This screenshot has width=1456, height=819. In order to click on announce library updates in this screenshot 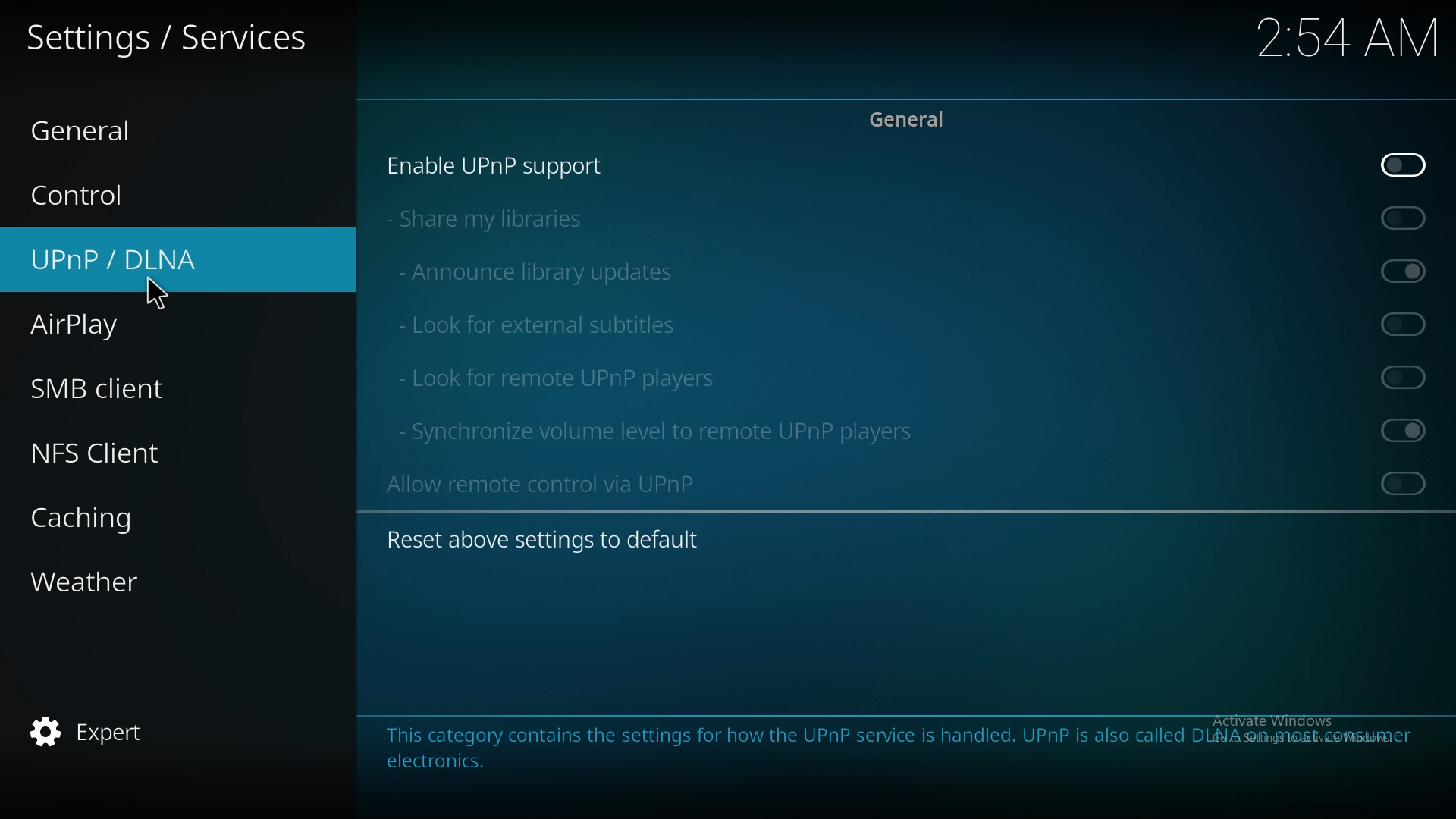, I will do `click(543, 271)`.